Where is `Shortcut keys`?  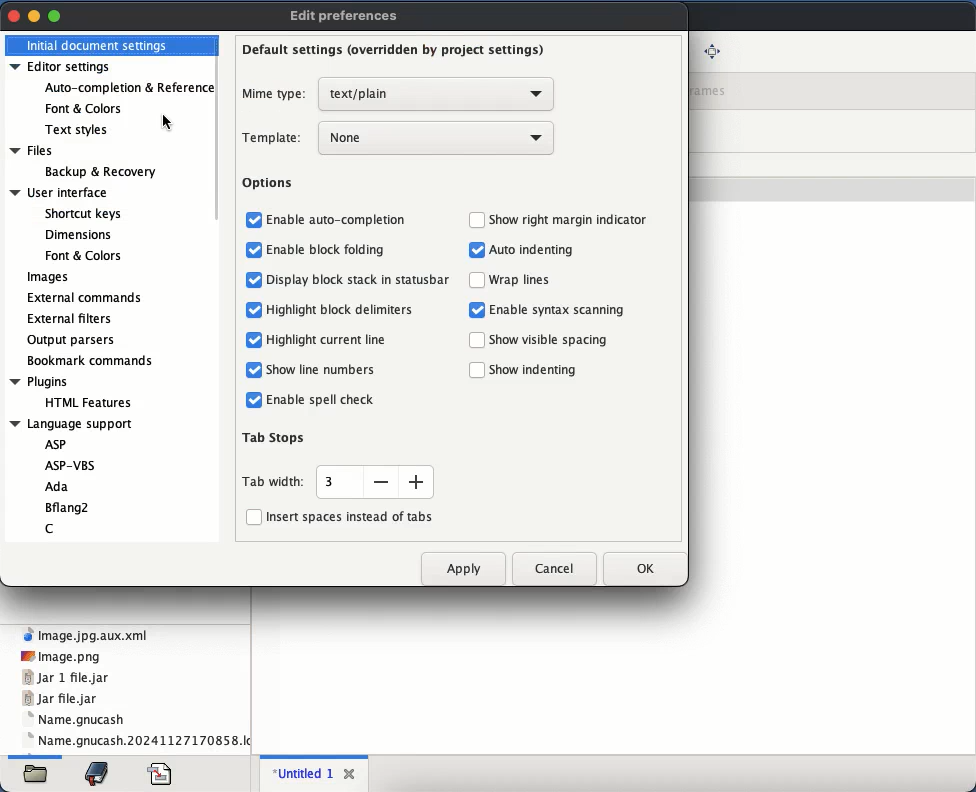 Shortcut keys is located at coordinates (84, 211).